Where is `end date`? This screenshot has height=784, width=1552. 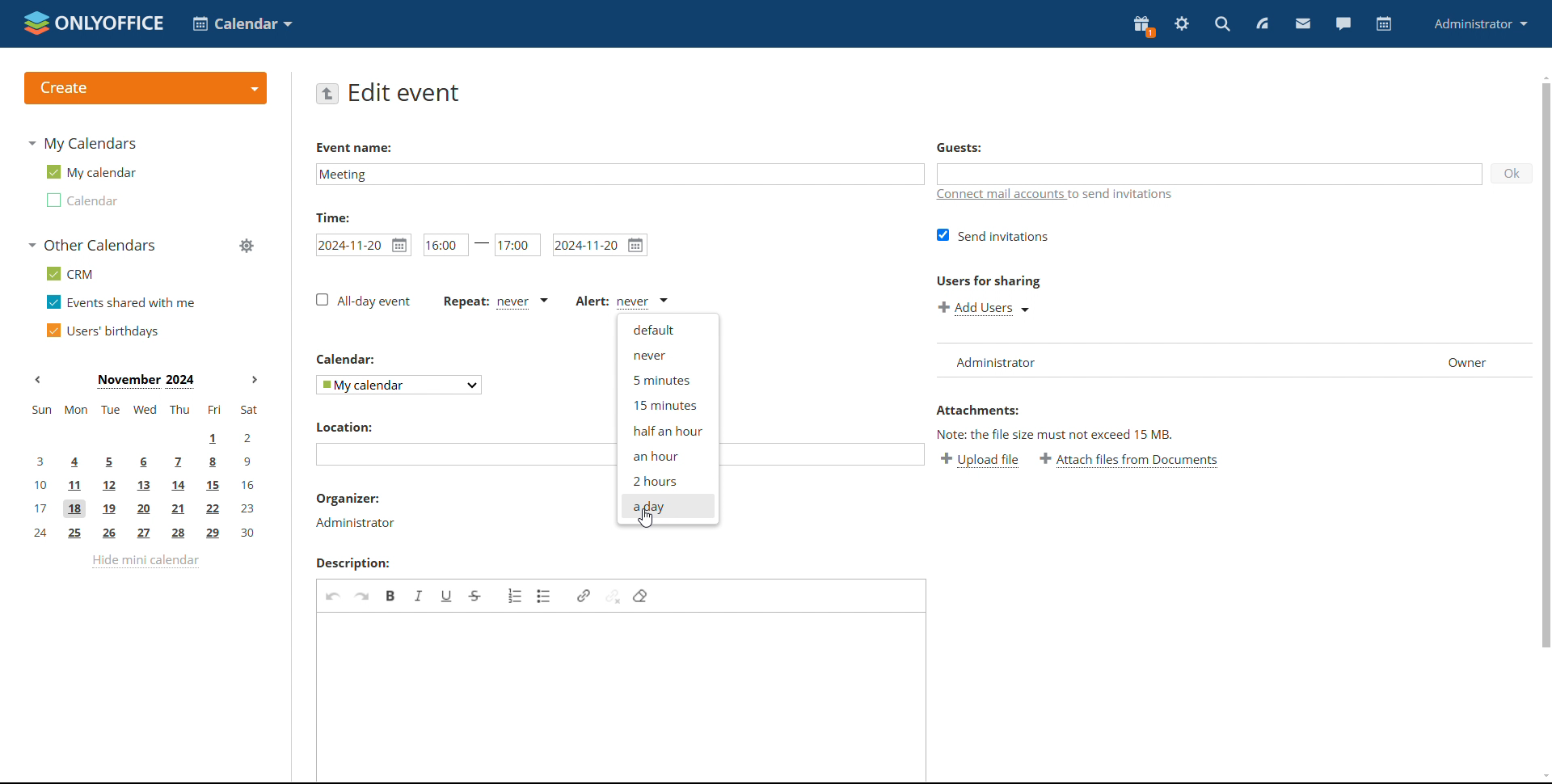 end date is located at coordinates (600, 245).